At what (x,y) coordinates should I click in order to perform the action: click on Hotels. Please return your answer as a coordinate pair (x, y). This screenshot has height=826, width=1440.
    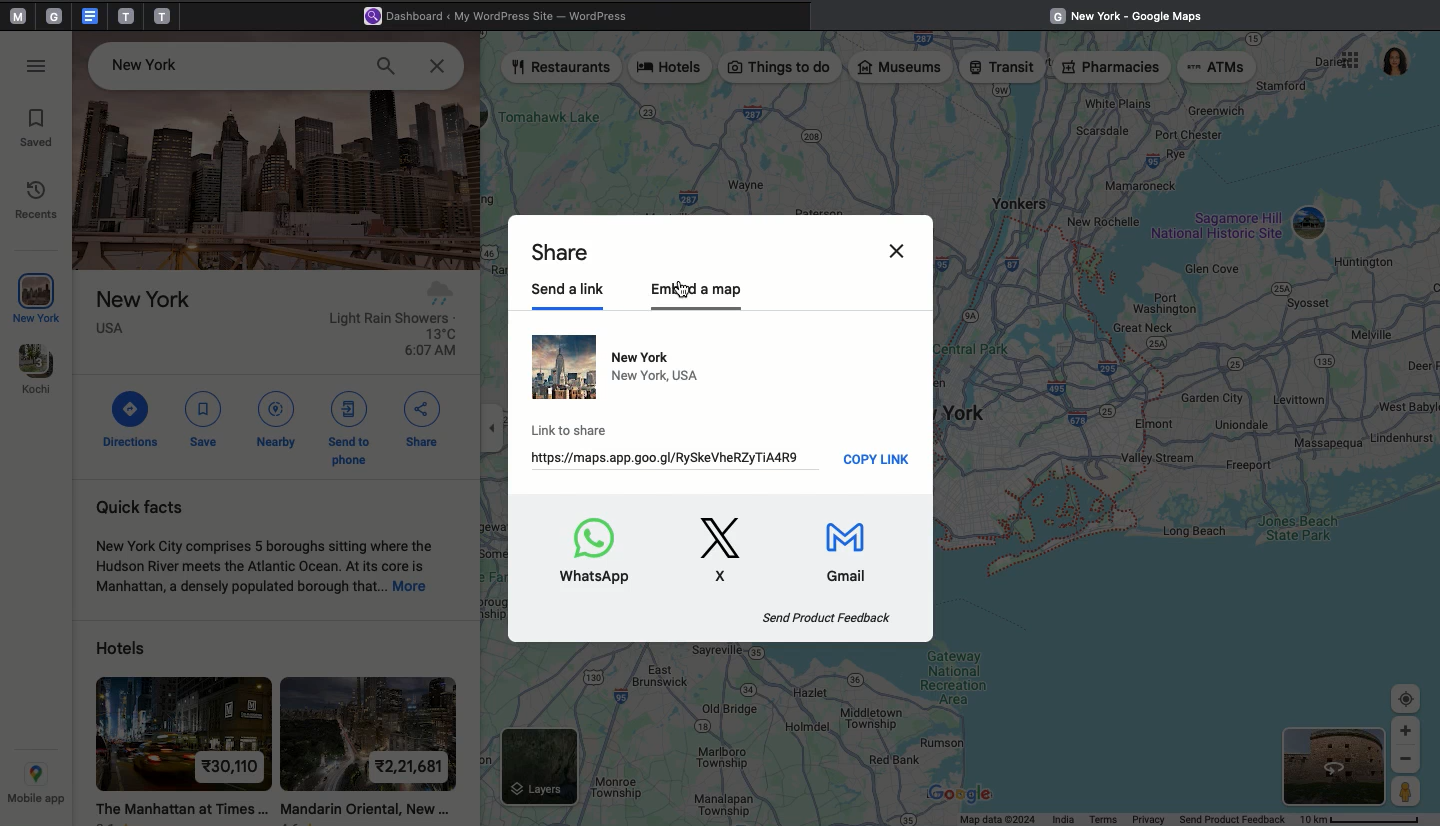
    Looking at the image, I should click on (673, 70).